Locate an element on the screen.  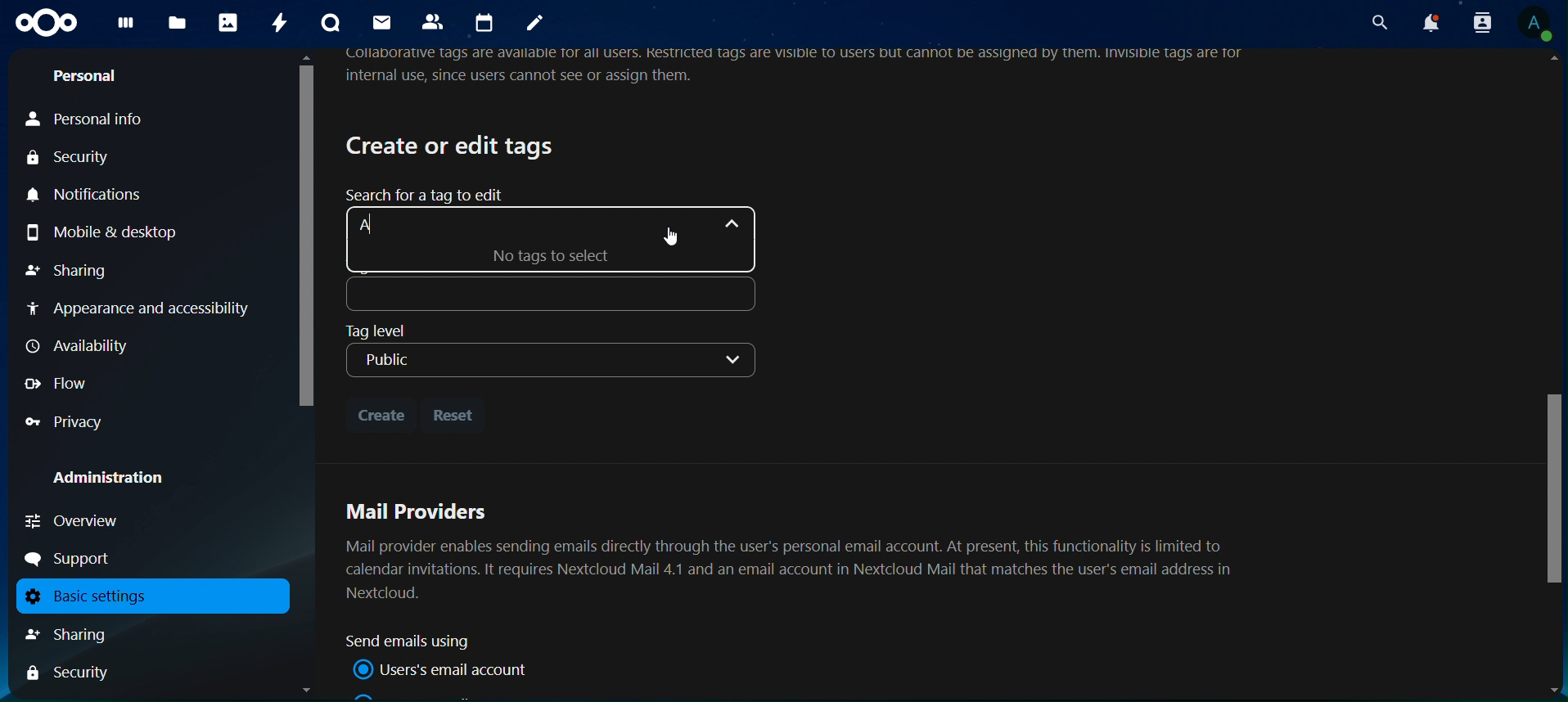
Scrollbar is located at coordinates (304, 374).